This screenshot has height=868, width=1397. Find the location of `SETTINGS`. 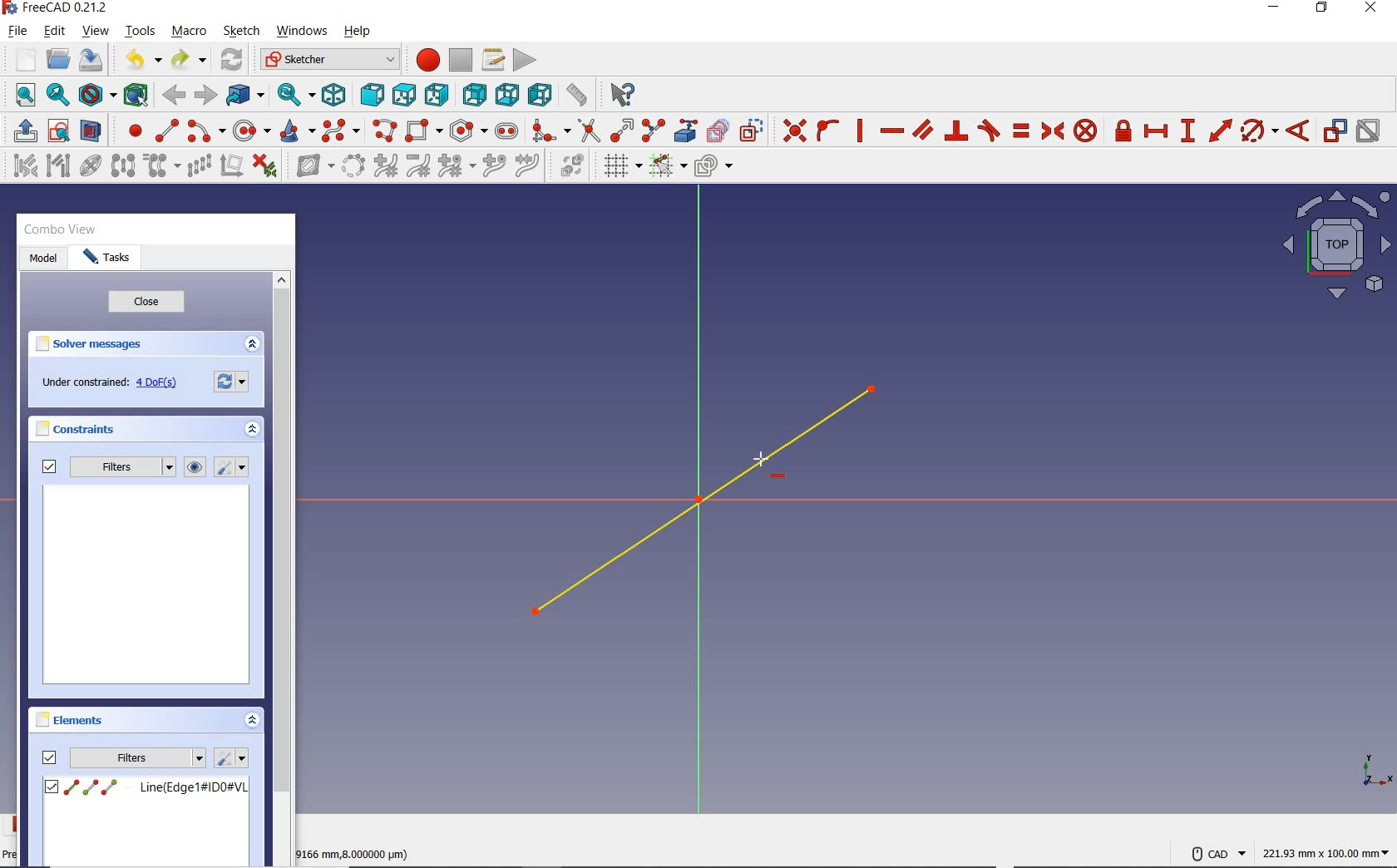

SETTINGS is located at coordinates (231, 757).